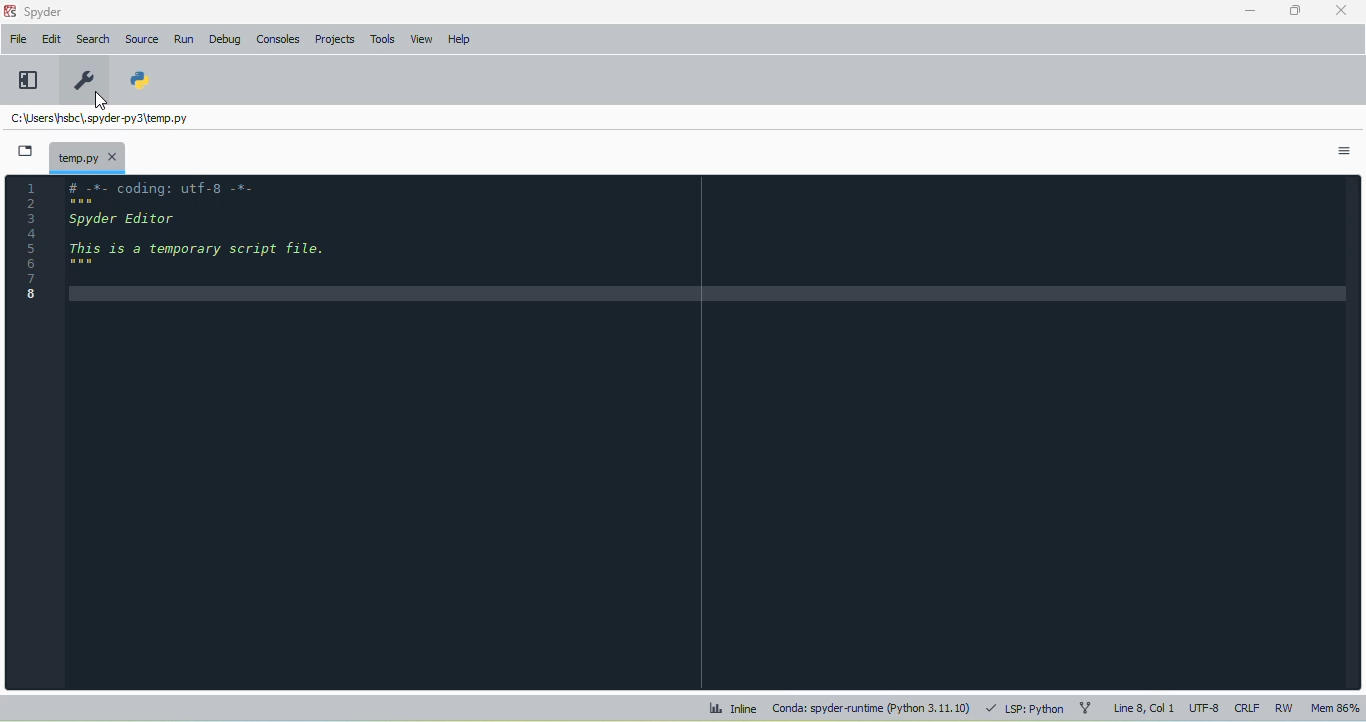 The width and height of the screenshot is (1366, 722). I want to click on inline, so click(733, 708).